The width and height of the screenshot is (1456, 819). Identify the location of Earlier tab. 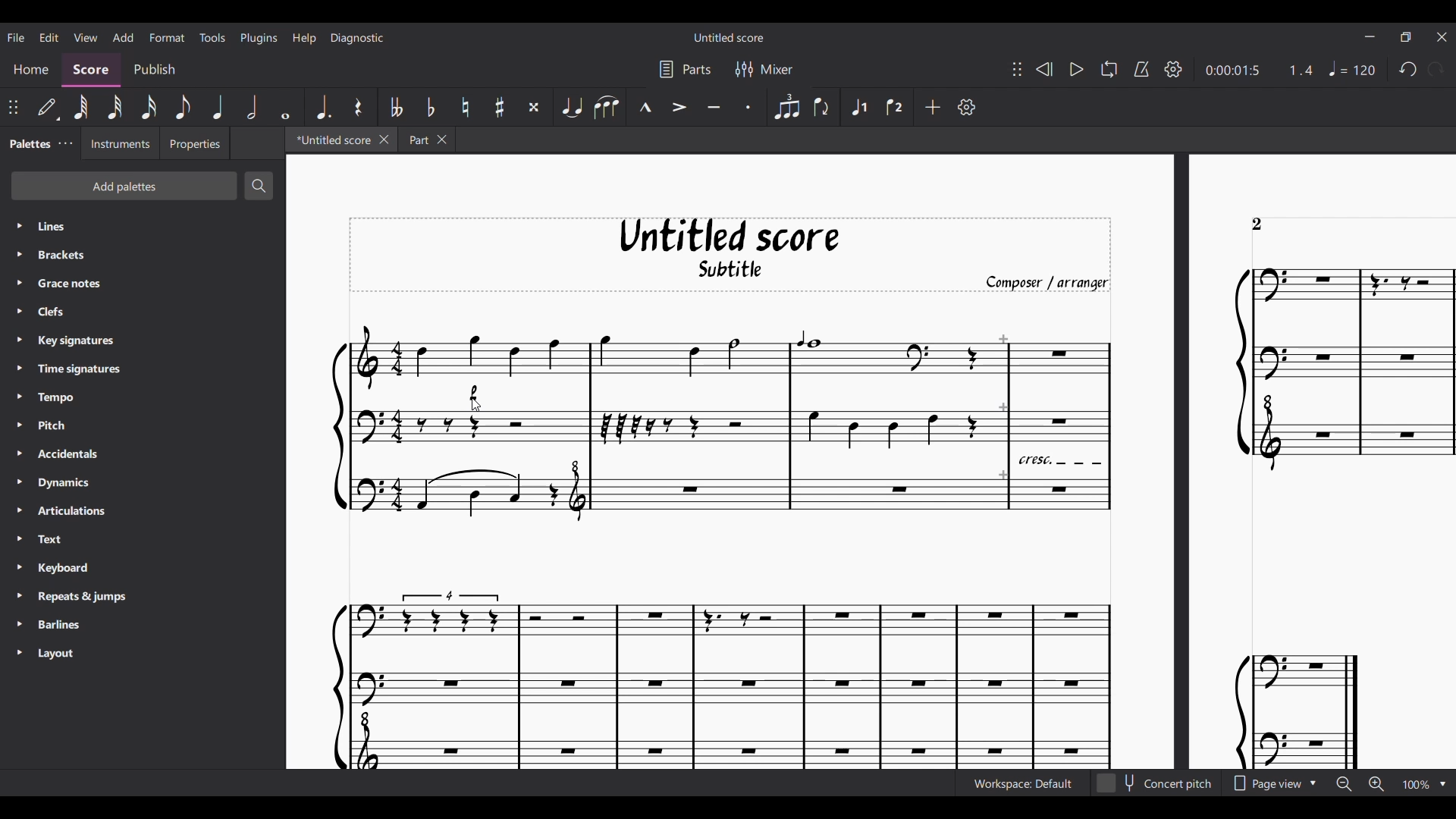
(426, 139).